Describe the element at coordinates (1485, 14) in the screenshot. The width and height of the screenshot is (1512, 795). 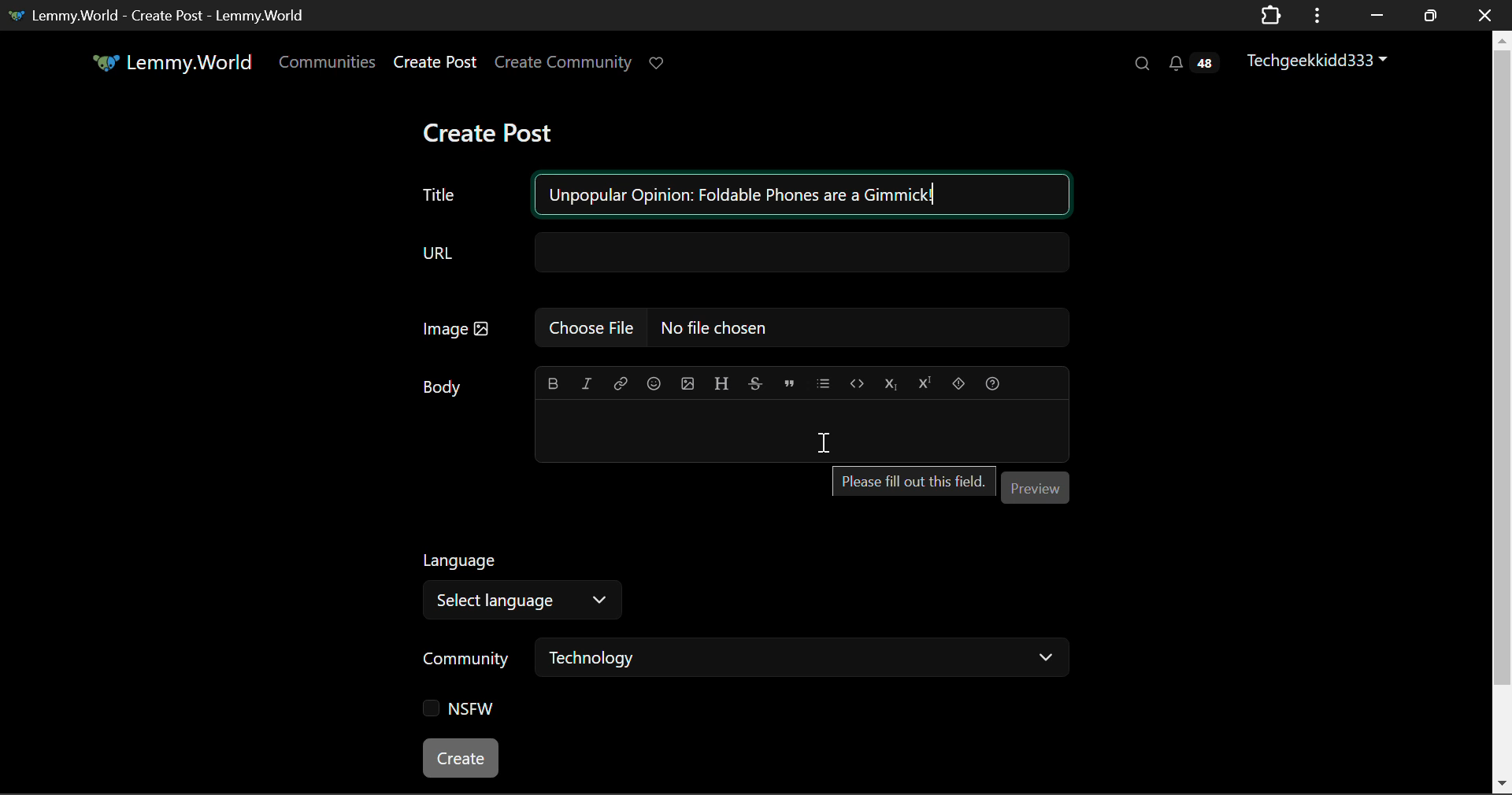
I see `Close Window` at that location.